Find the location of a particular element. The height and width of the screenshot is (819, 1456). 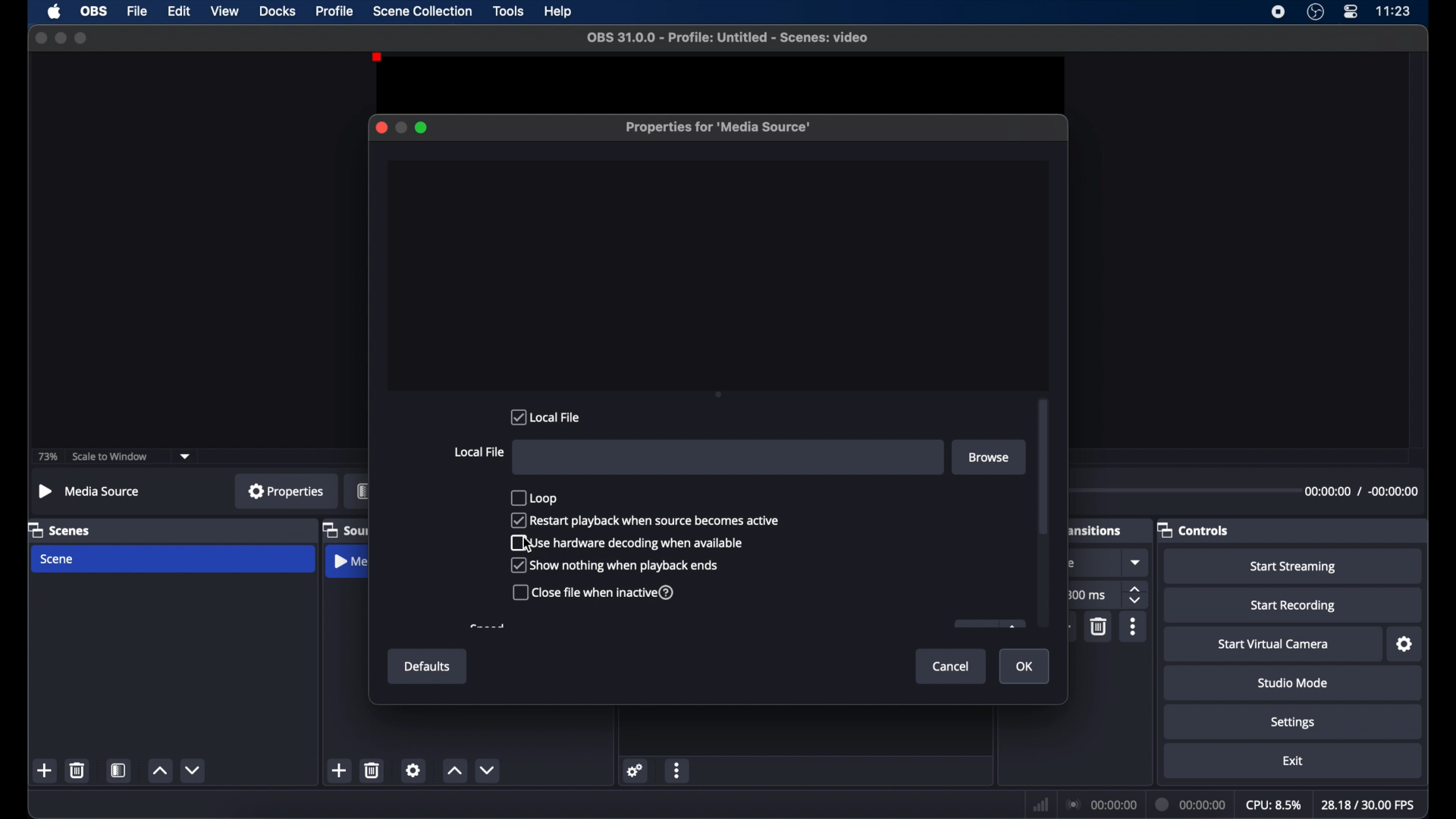

control center is located at coordinates (1350, 11).